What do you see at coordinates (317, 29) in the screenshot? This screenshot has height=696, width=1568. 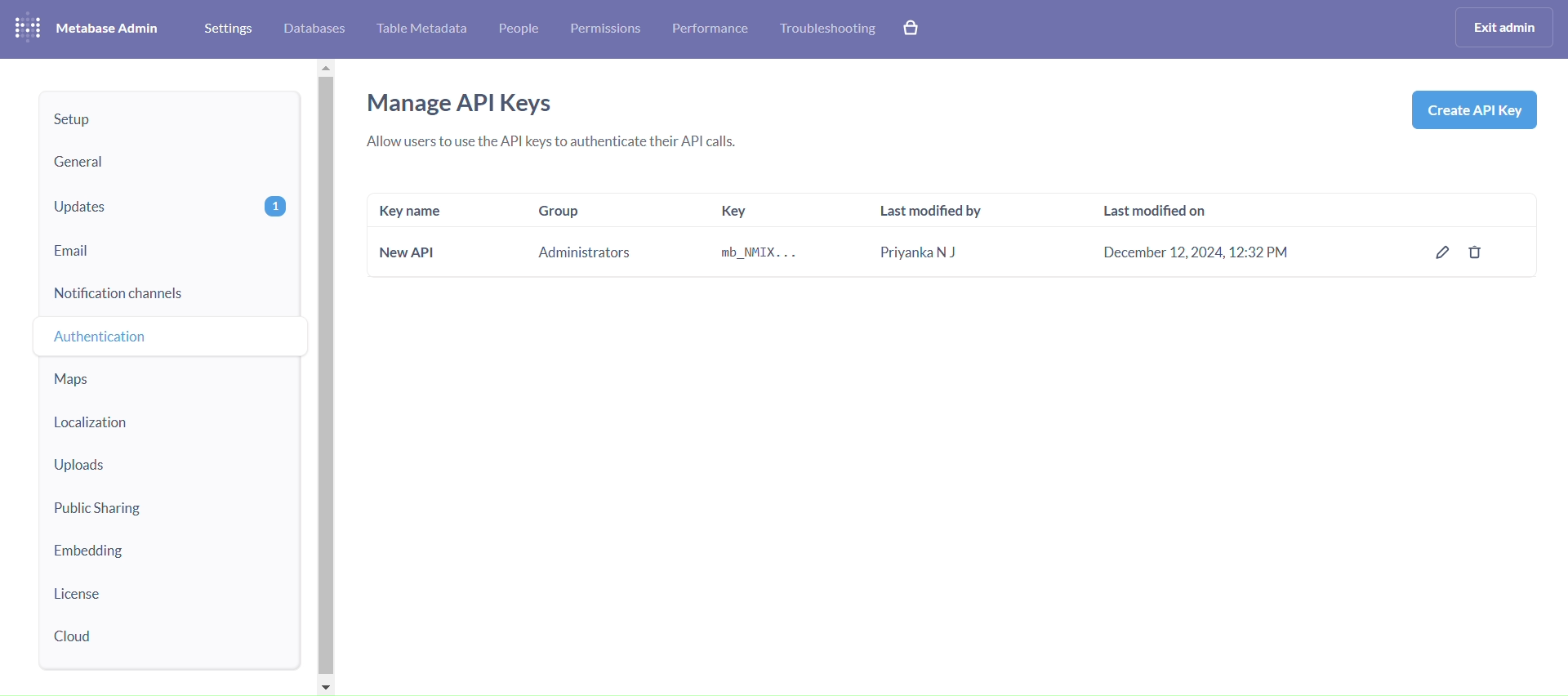 I see `database` at bounding box center [317, 29].